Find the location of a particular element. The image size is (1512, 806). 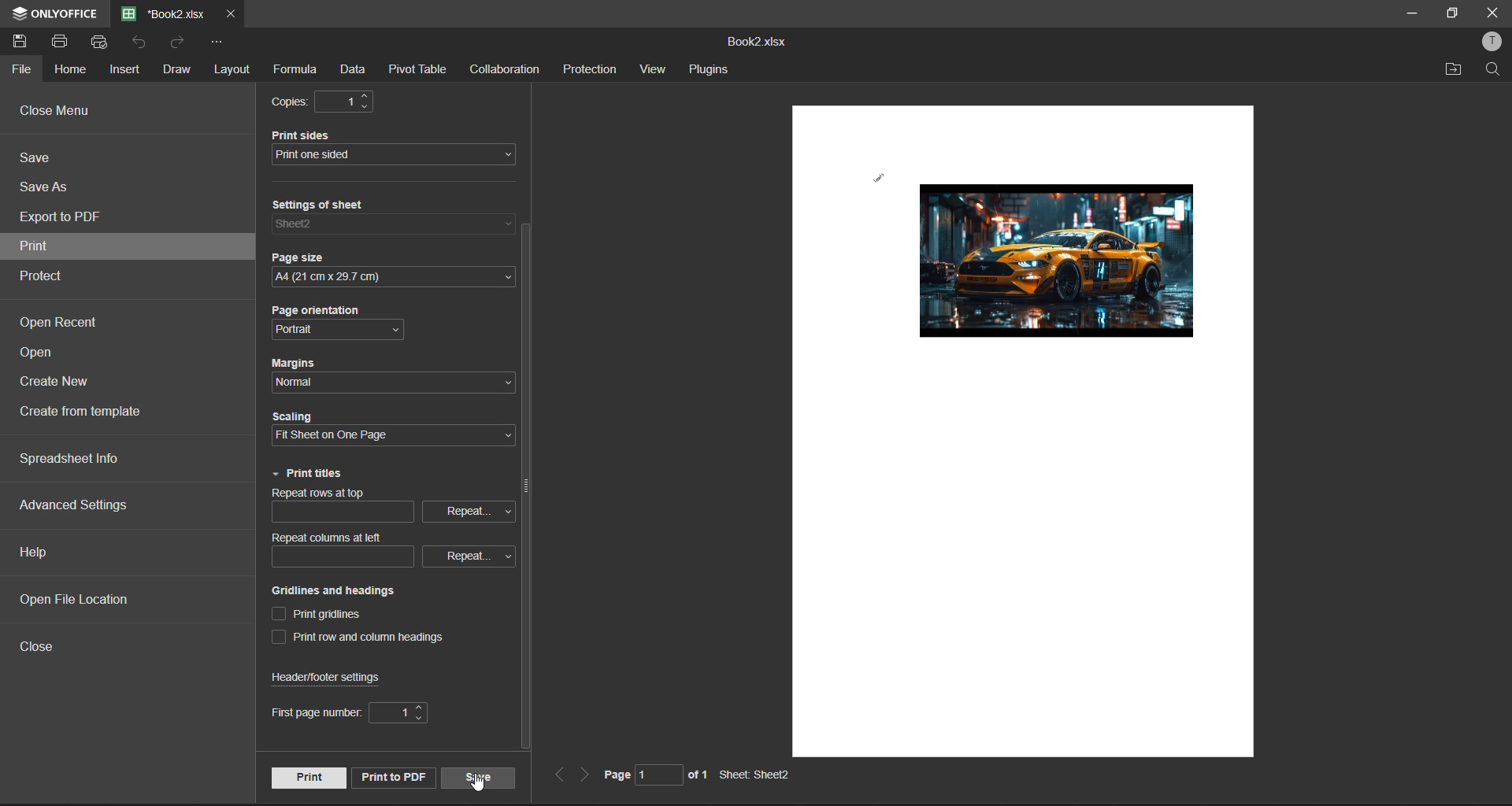

save is located at coordinates (479, 777).